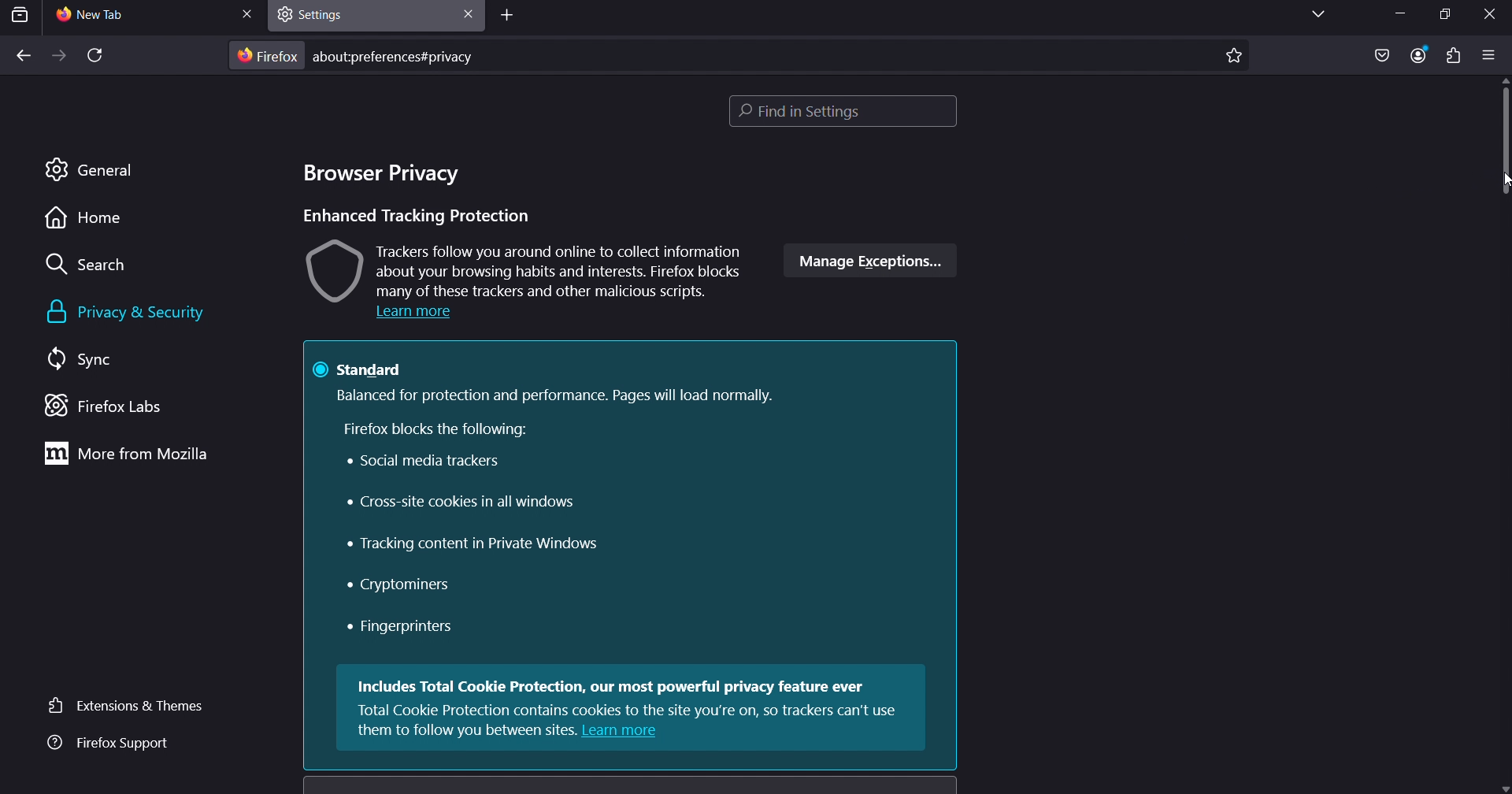 This screenshot has width=1512, height=794. What do you see at coordinates (628, 696) in the screenshot?
I see `Includes Total Cookie Protection, our most powerful privacy feature ever
Total Cookie Protection contains cookies to the site vou're on, so trackers can't use` at bounding box center [628, 696].